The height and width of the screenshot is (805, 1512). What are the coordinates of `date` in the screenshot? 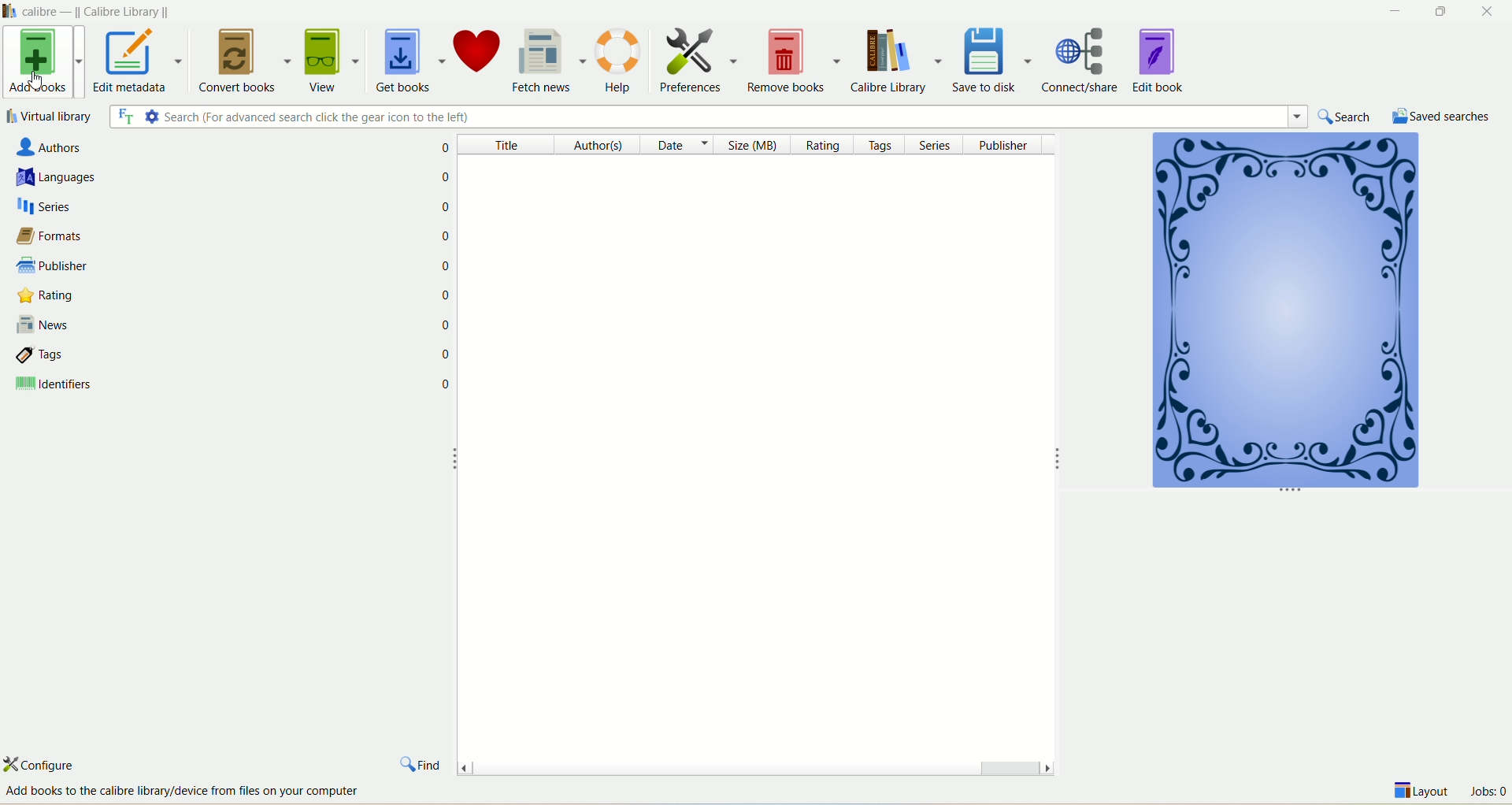 It's located at (677, 146).